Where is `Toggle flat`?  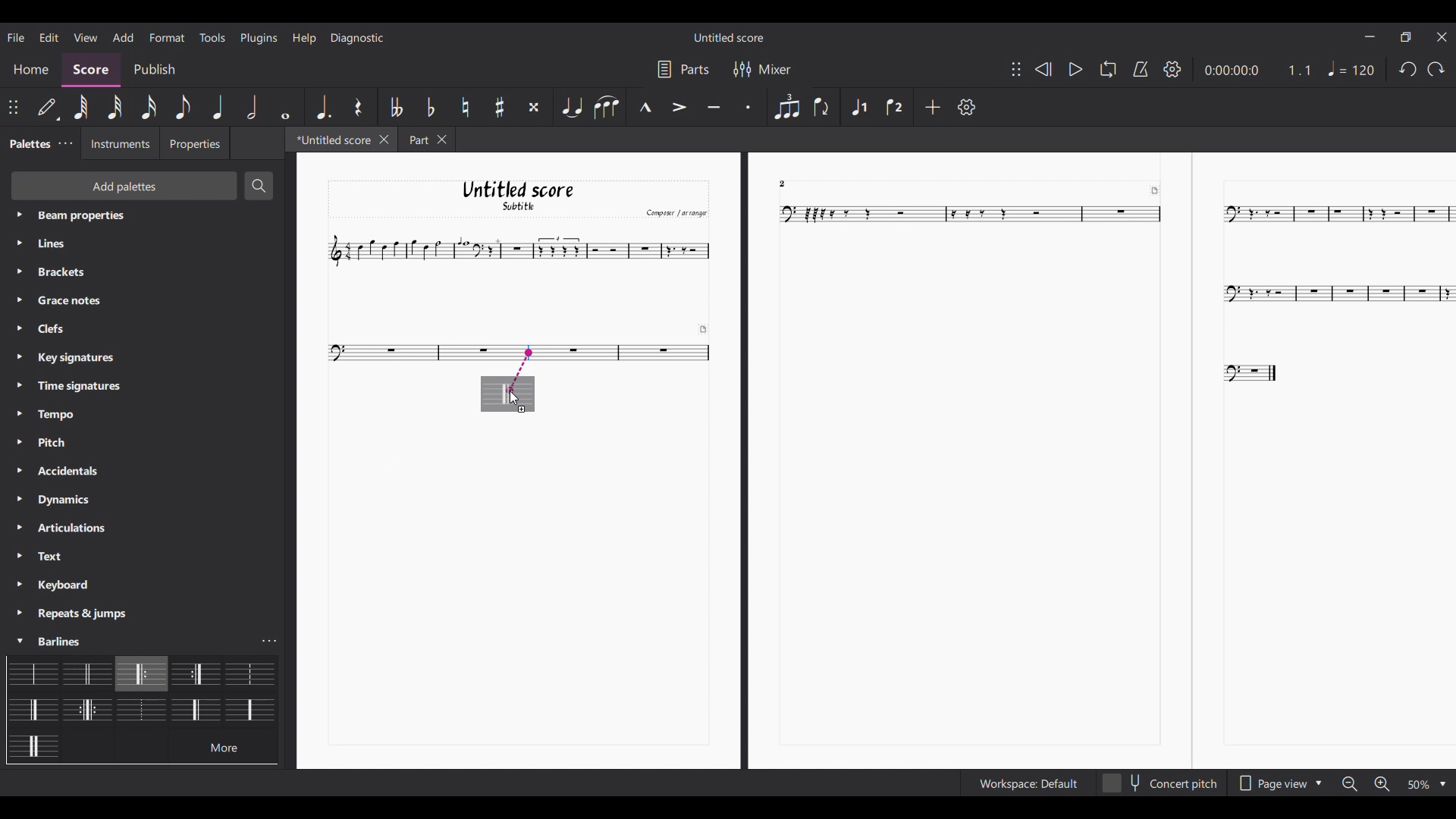
Toggle flat is located at coordinates (431, 107).